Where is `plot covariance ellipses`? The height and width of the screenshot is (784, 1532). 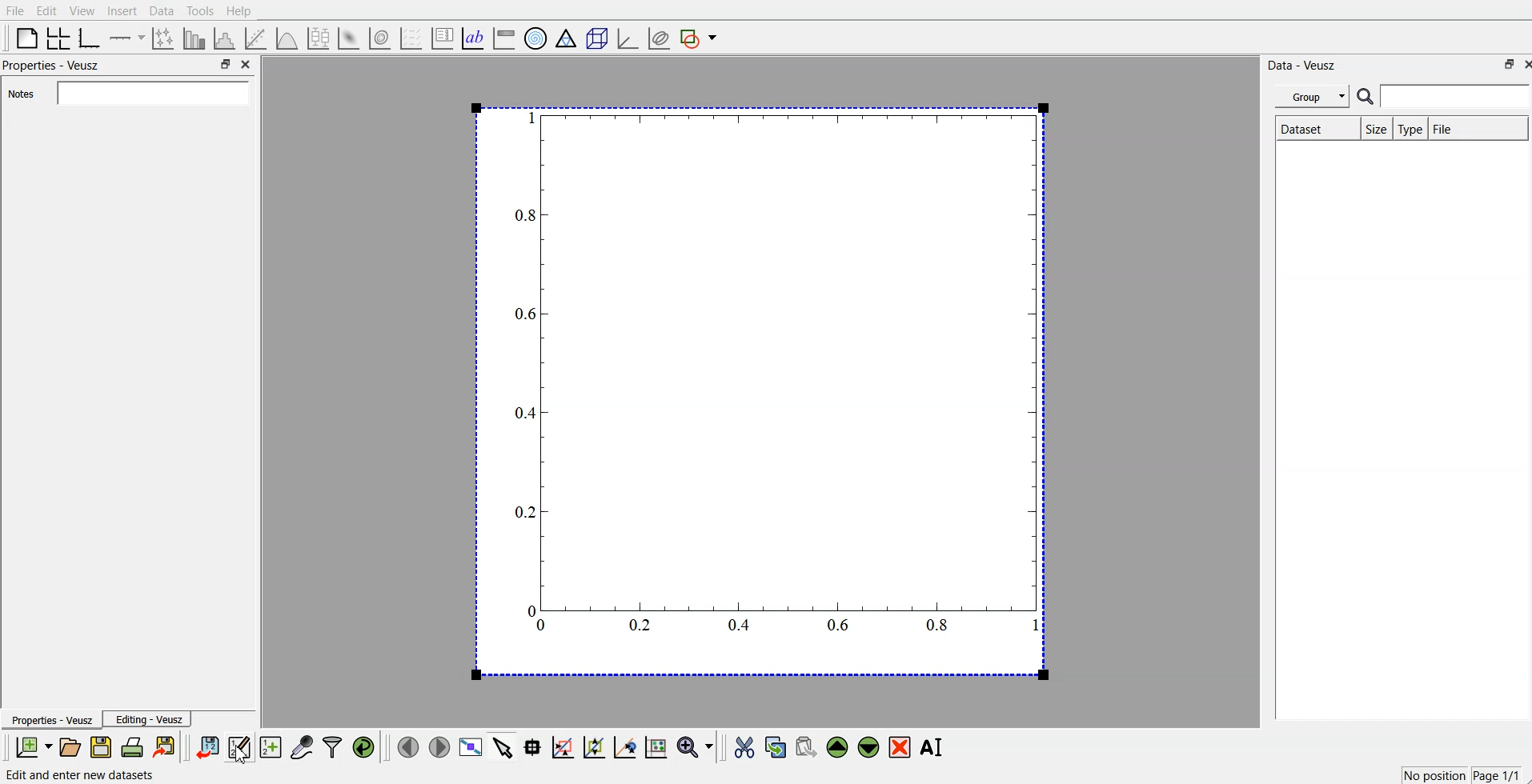 plot covariance ellipses is located at coordinates (658, 37).